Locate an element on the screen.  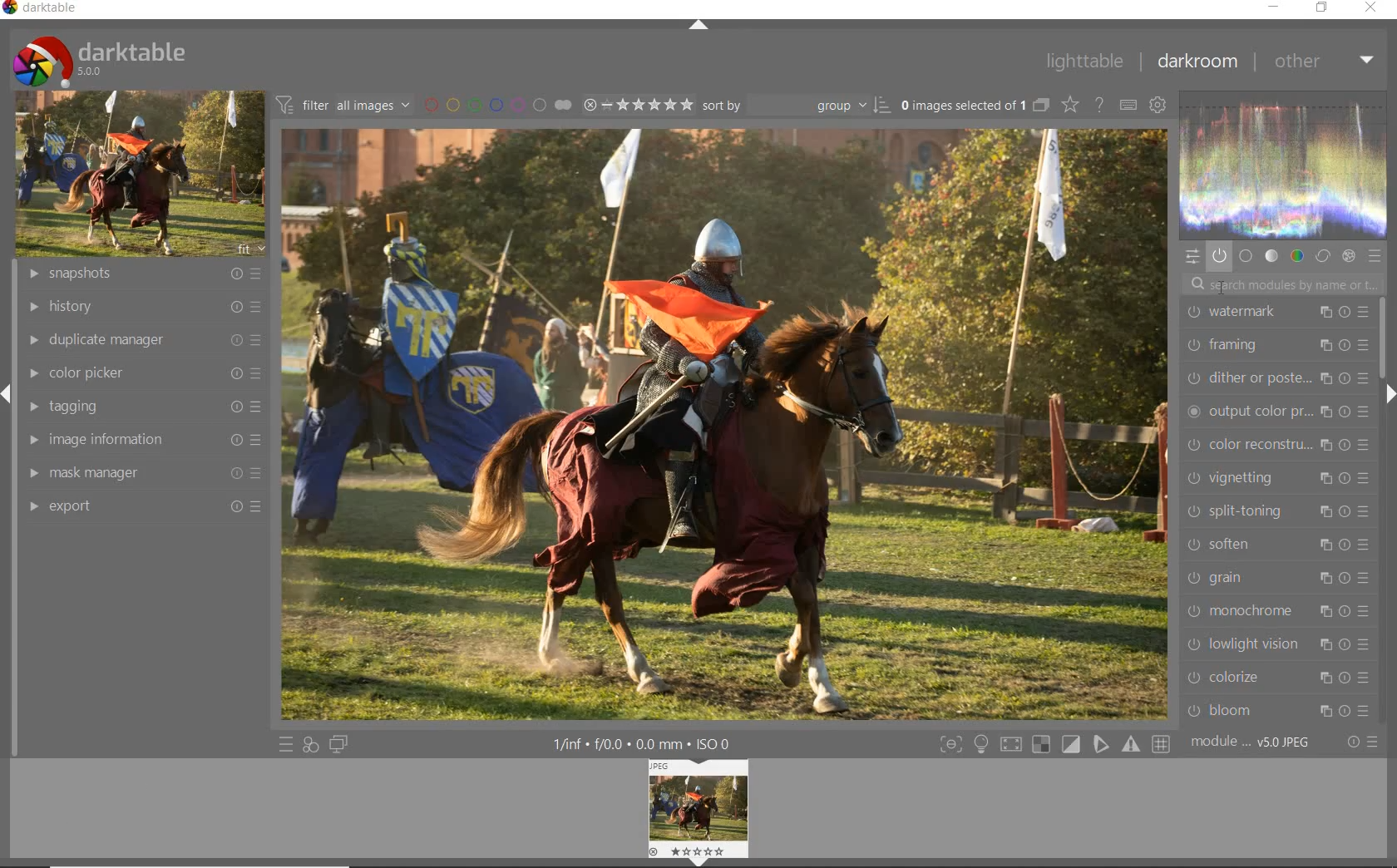
dither or paste is located at coordinates (1277, 375).